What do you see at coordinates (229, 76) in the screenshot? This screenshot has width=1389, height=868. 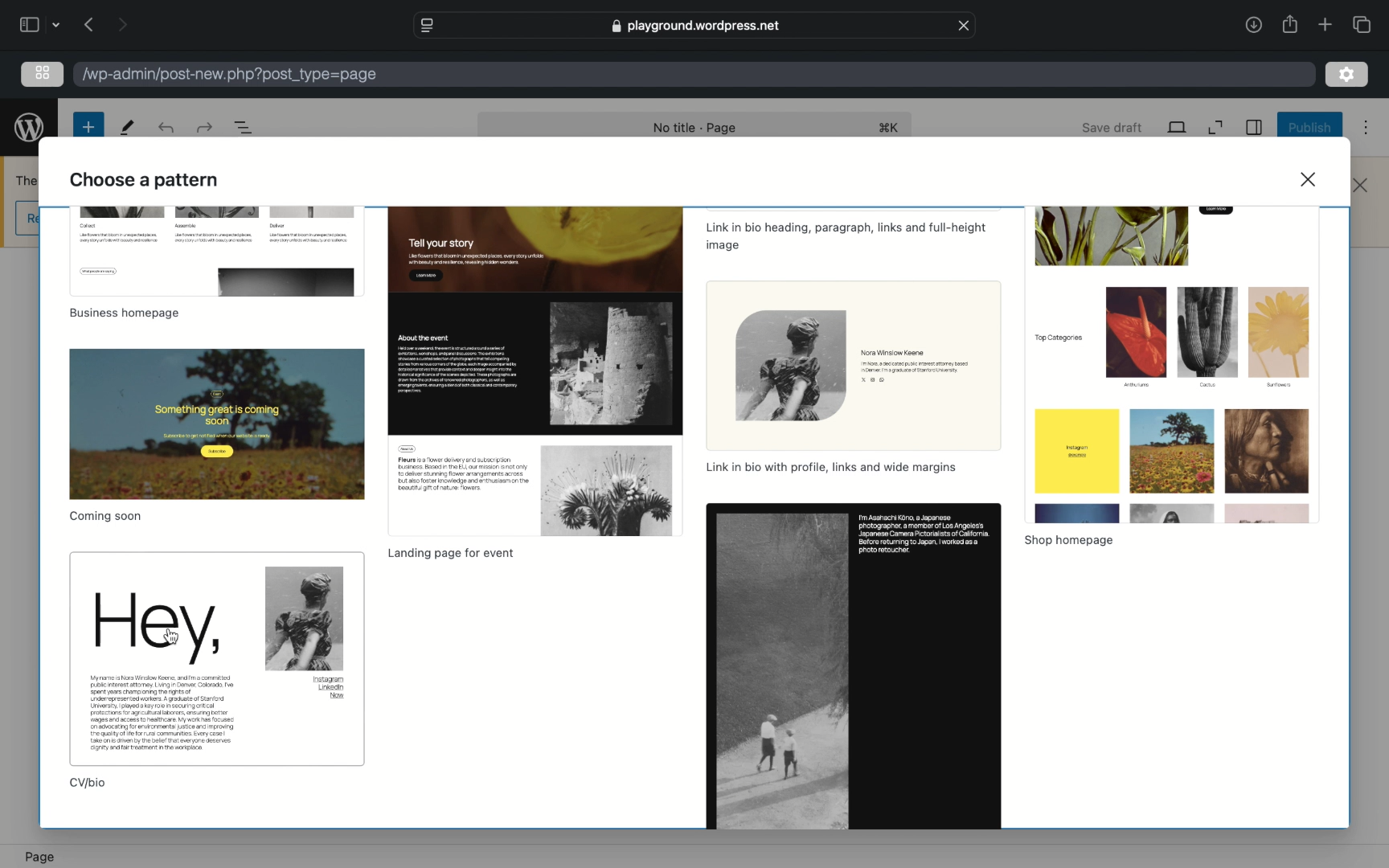 I see `wordpress address` at bounding box center [229, 76].